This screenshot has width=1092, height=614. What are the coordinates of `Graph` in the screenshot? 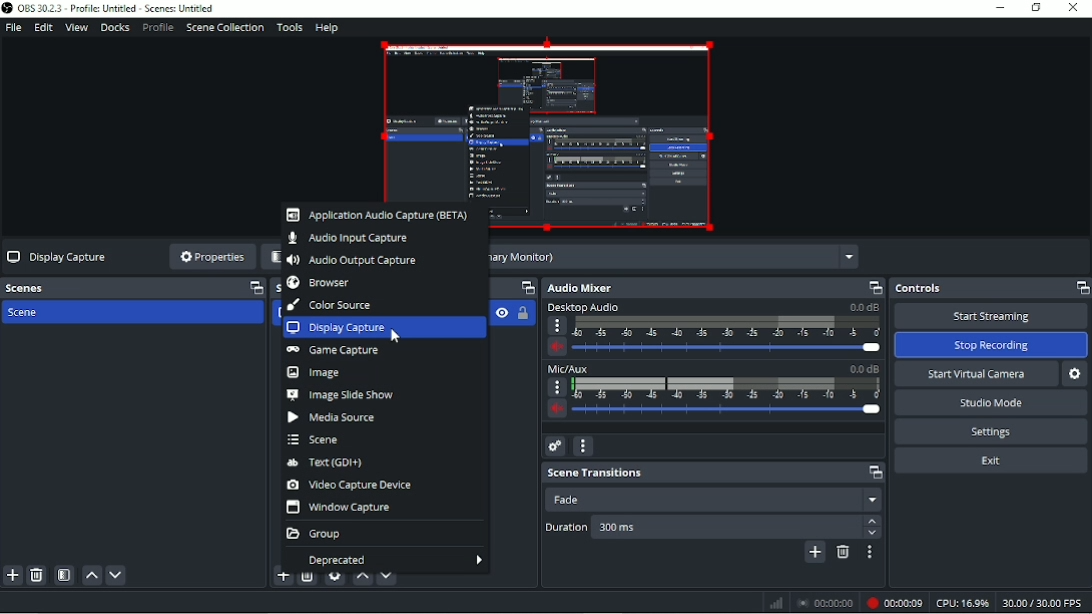 It's located at (776, 604).